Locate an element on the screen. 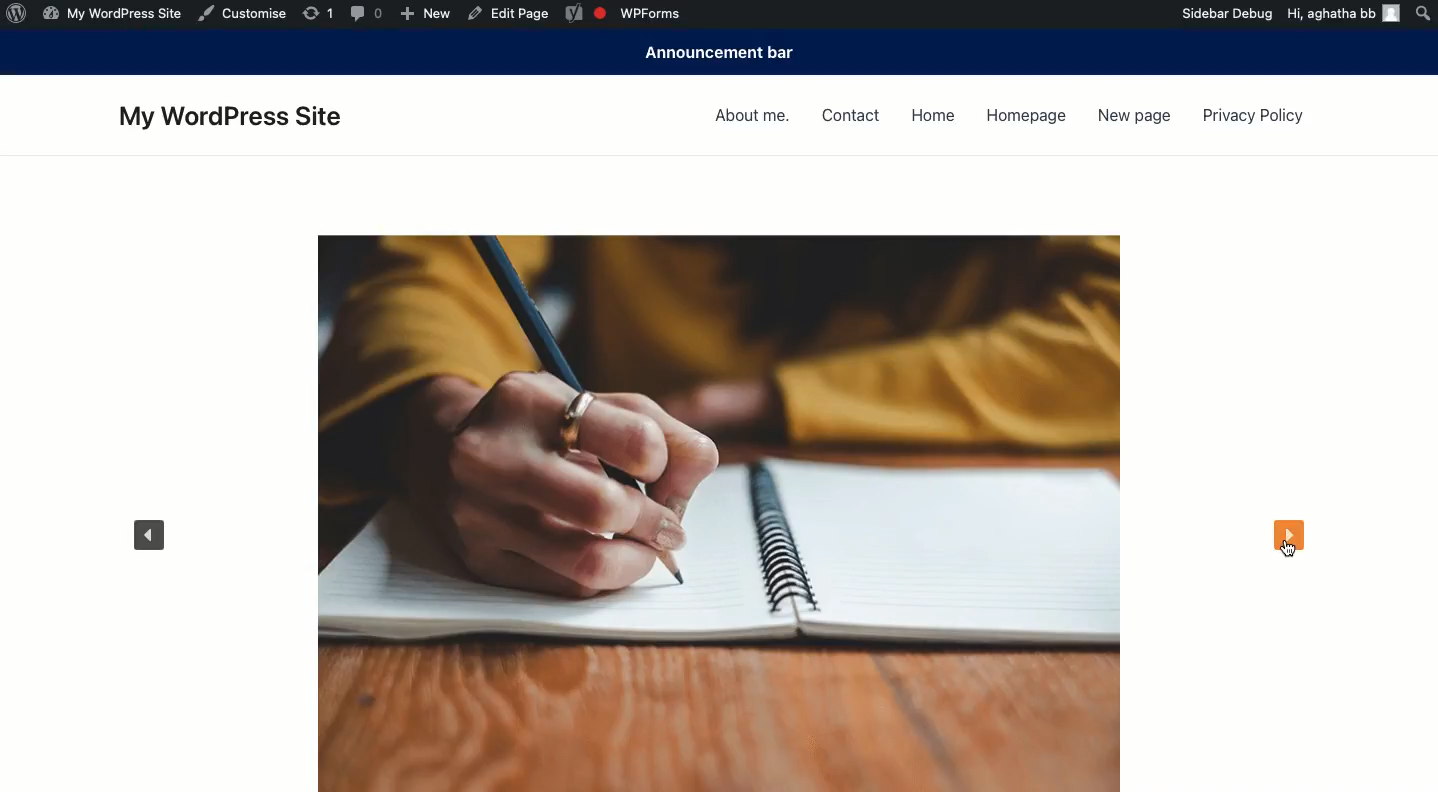   is located at coordinates (320, 14).